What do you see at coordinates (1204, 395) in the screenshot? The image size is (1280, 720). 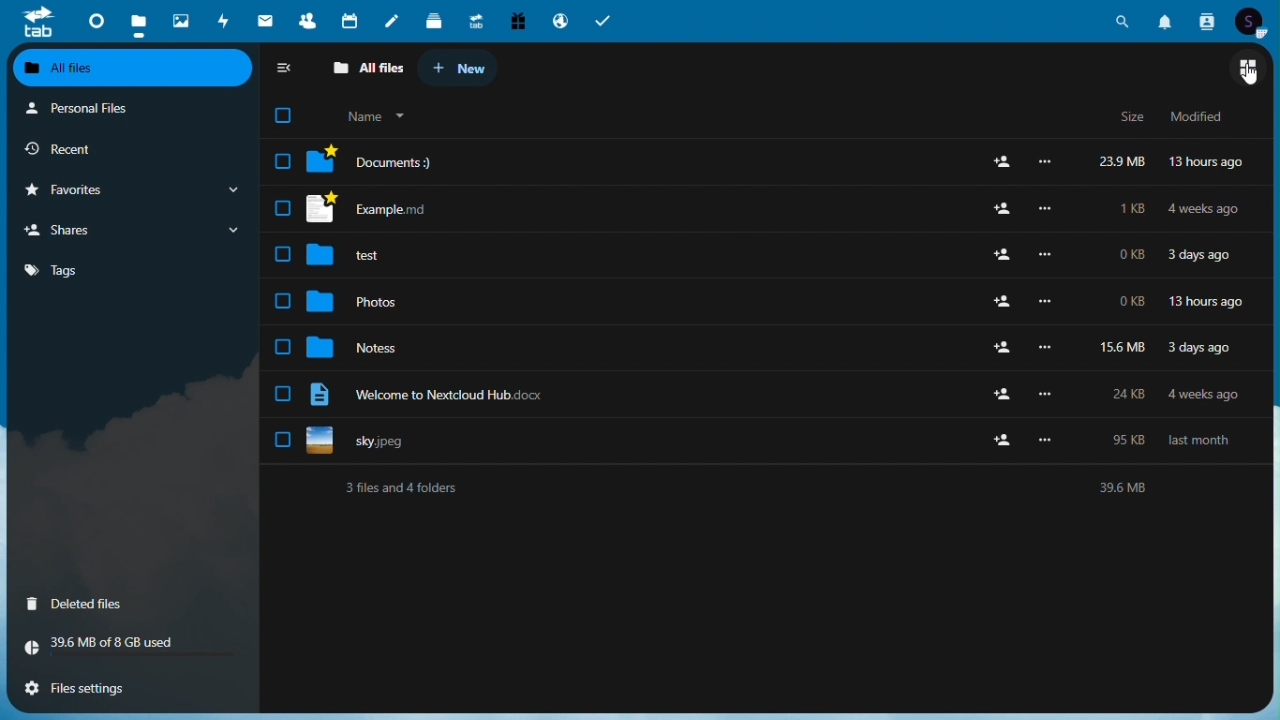 I see `4 weeks ago` at bounding box center [1204, 395].